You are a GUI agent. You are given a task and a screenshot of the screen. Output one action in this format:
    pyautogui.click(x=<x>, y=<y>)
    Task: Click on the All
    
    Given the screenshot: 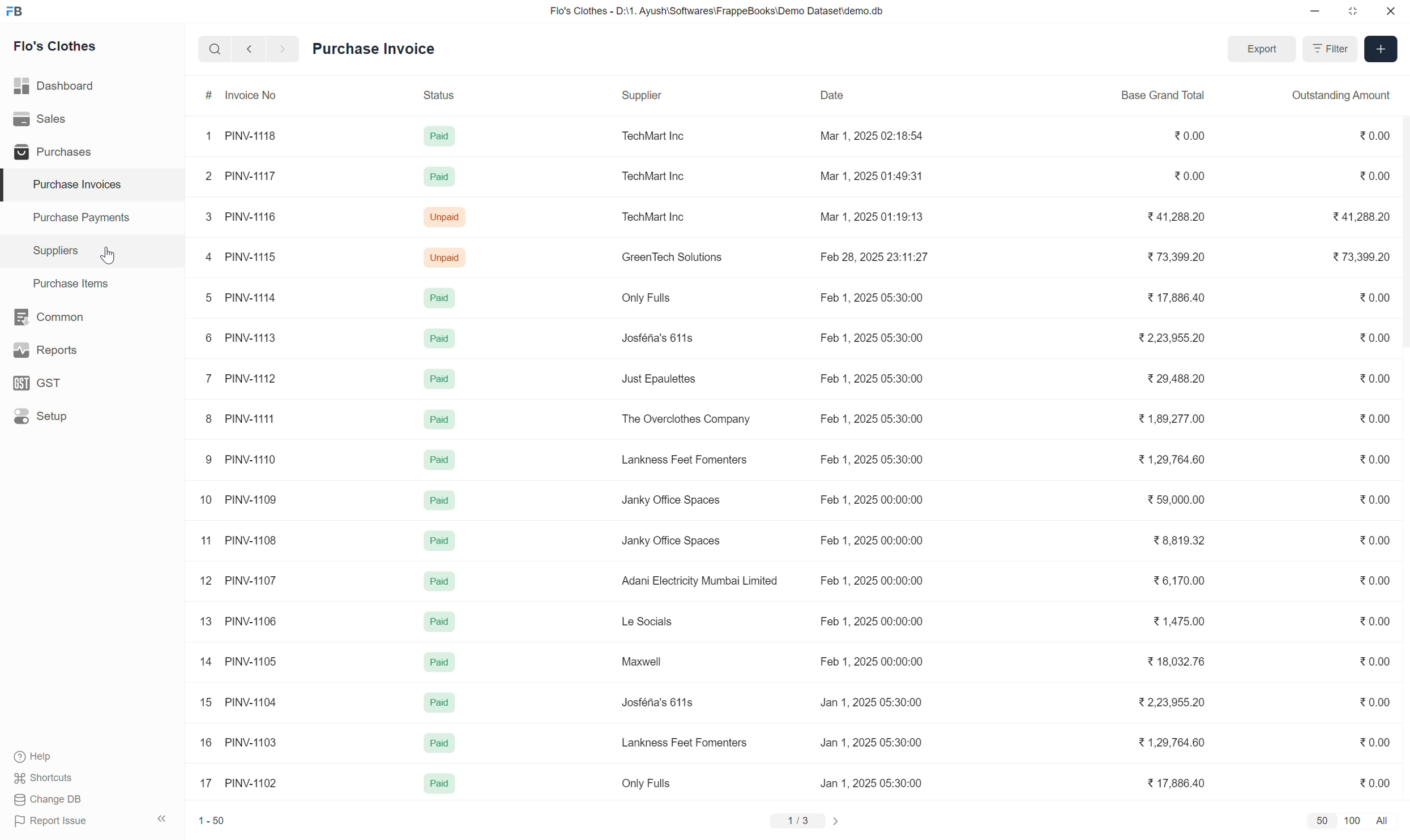 What is the action you would take?
    pyautogui.click(x=1383, y=821)
    